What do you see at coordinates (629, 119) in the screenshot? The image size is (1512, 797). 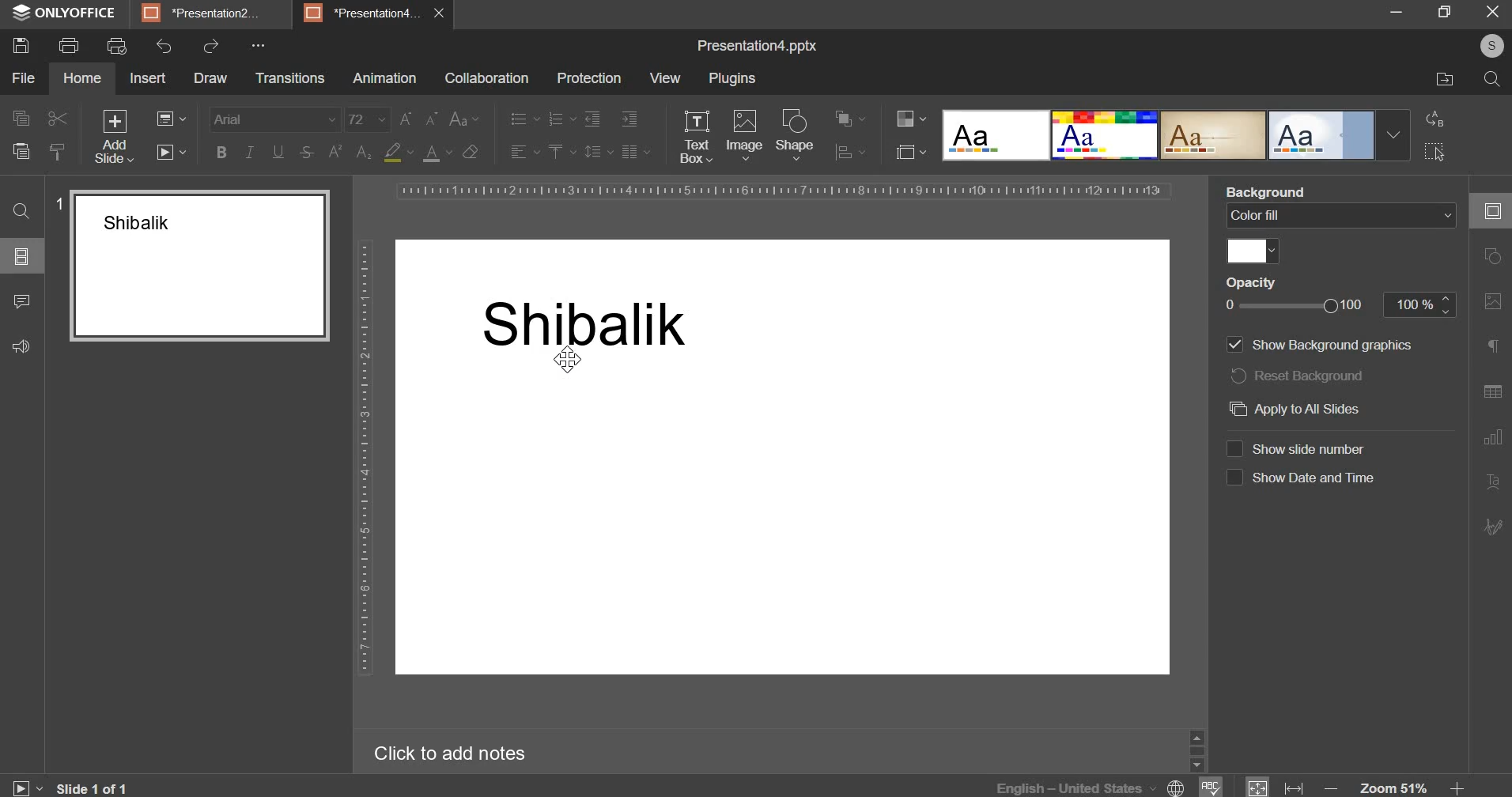 I see `increase indent` at bounding box center [629, 119].